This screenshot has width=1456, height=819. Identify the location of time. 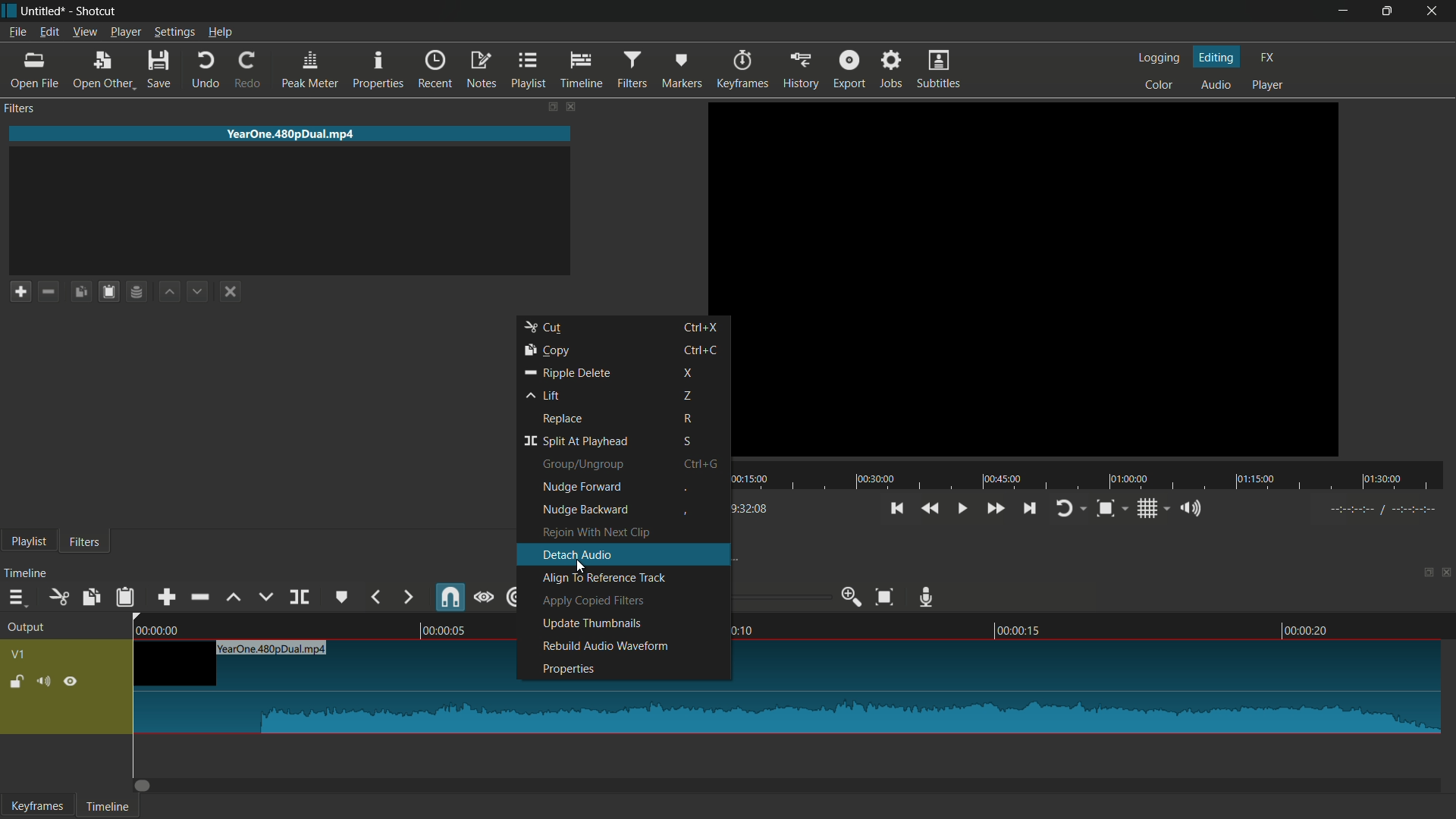
(1382, 508).